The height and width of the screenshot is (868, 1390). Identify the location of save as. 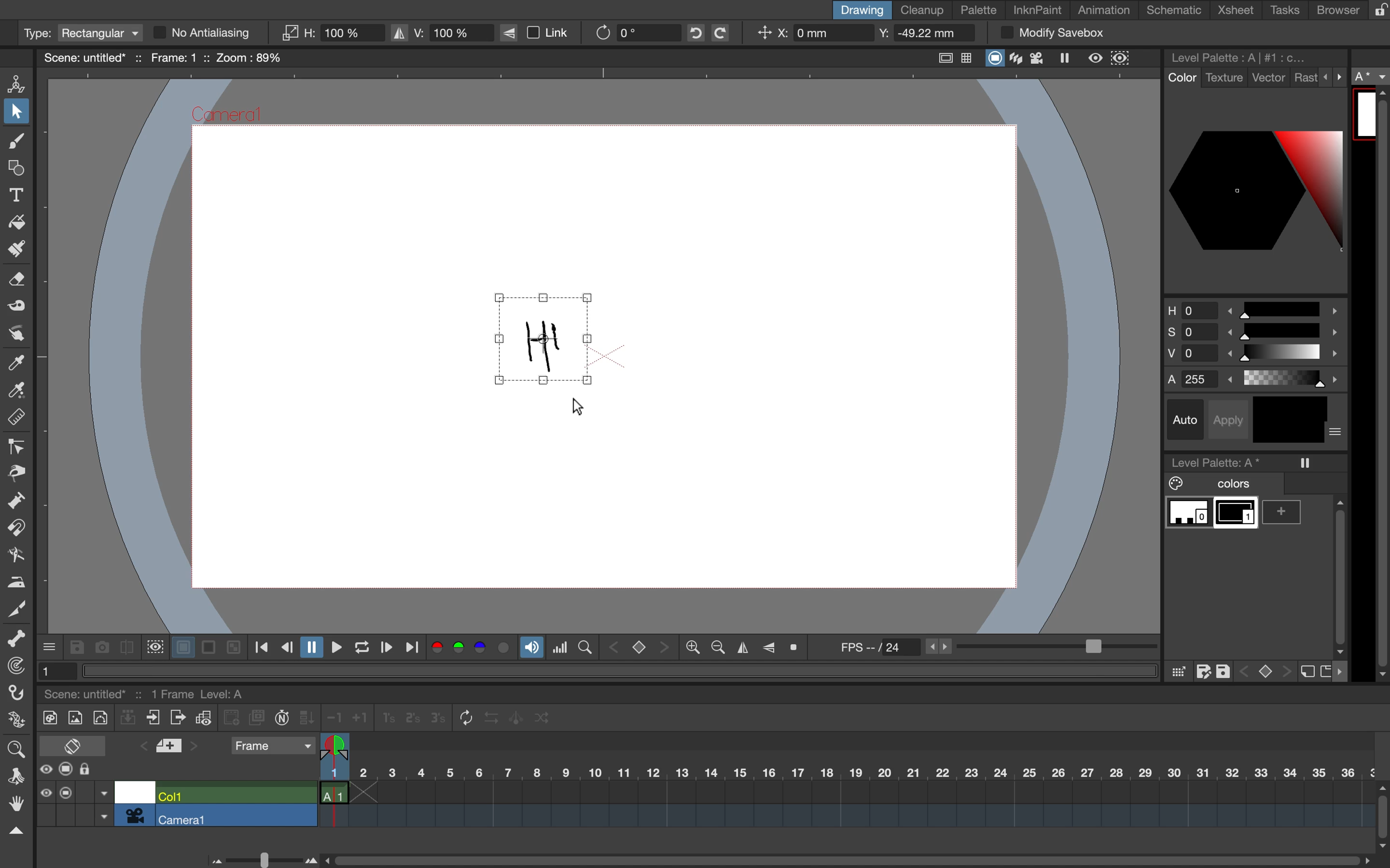
(1203, 672).